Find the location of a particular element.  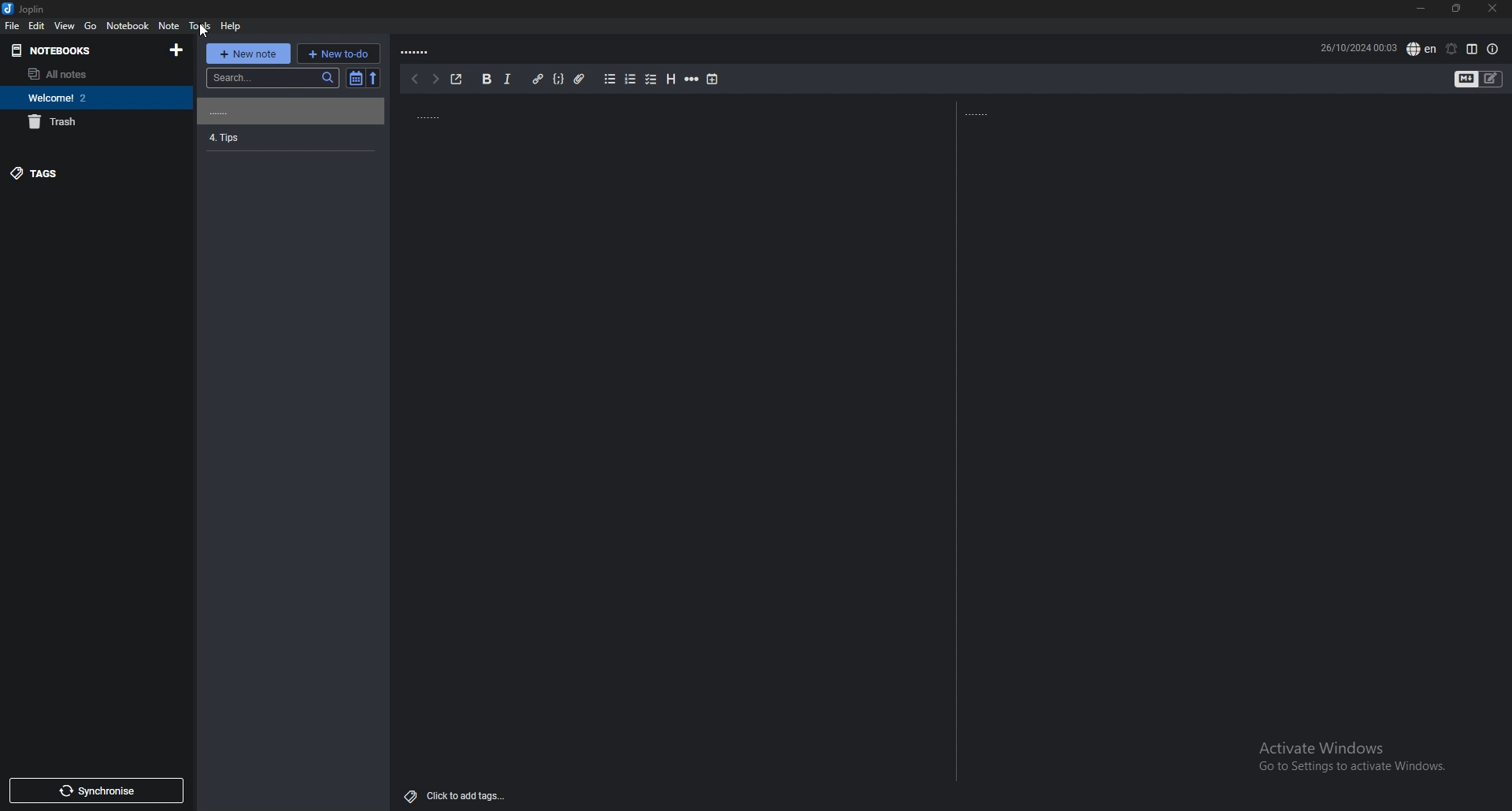

toggle external editing is located at coordinates (457, 77).